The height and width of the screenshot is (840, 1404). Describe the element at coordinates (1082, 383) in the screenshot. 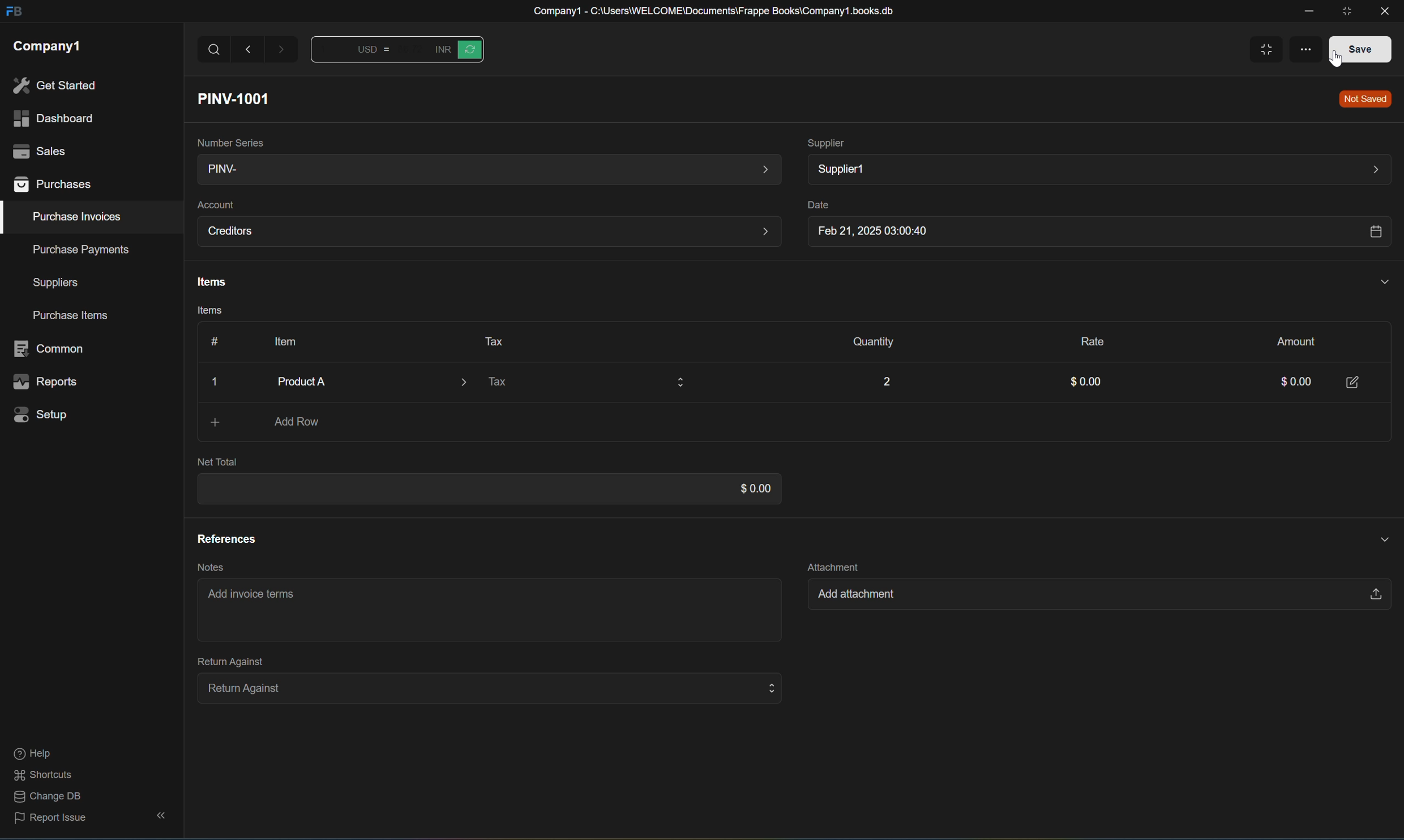

I see `$0.00` at that location.